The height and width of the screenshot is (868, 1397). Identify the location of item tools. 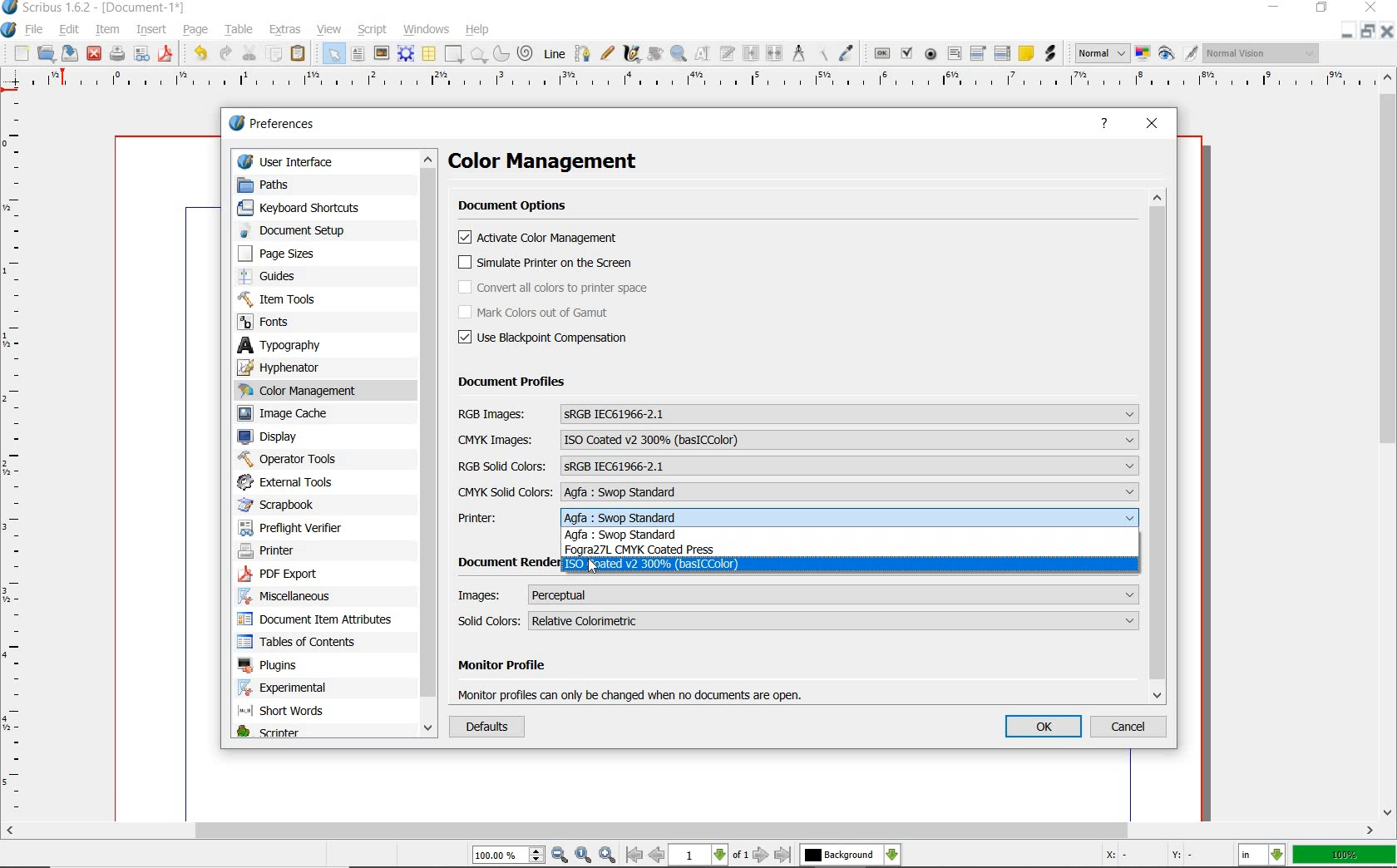
(297, 299).